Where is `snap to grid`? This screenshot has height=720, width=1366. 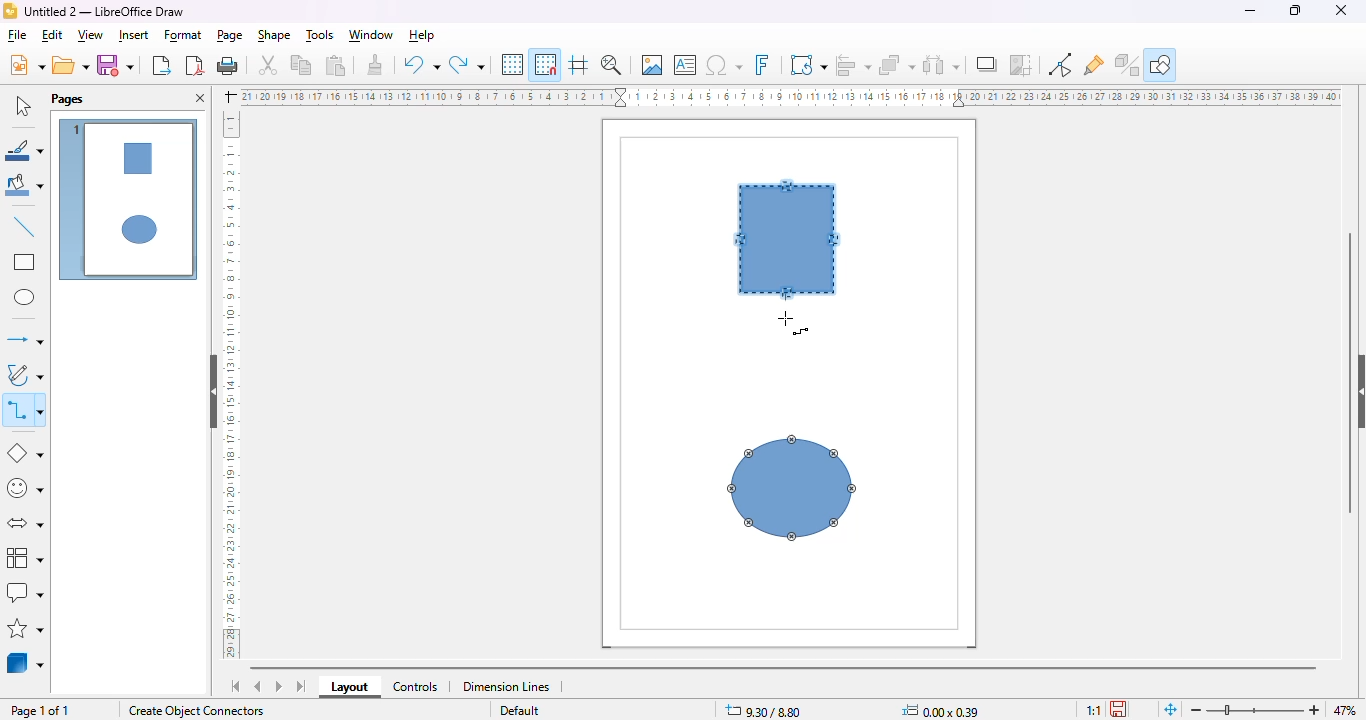 snap to grid is located at coordinates (546, 64).